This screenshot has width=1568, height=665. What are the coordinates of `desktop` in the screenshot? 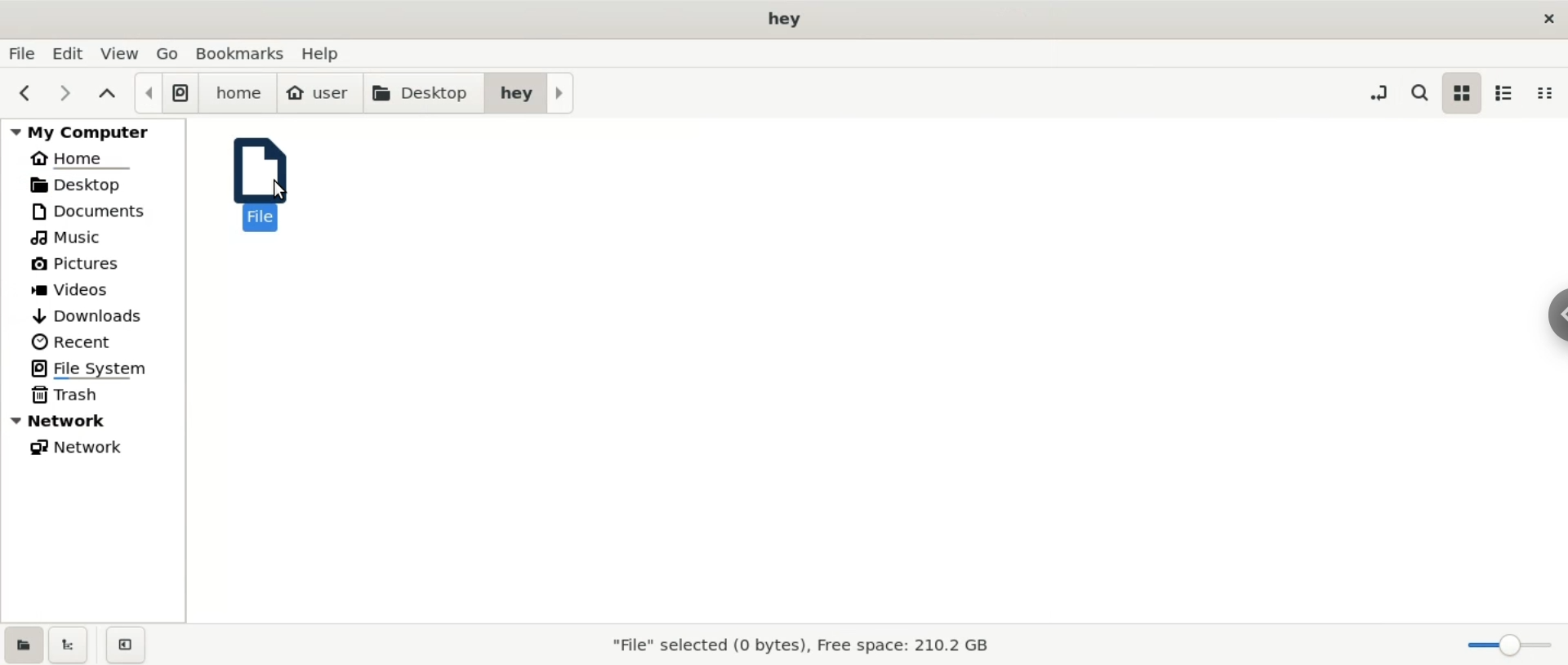 It's located at (422, 94).